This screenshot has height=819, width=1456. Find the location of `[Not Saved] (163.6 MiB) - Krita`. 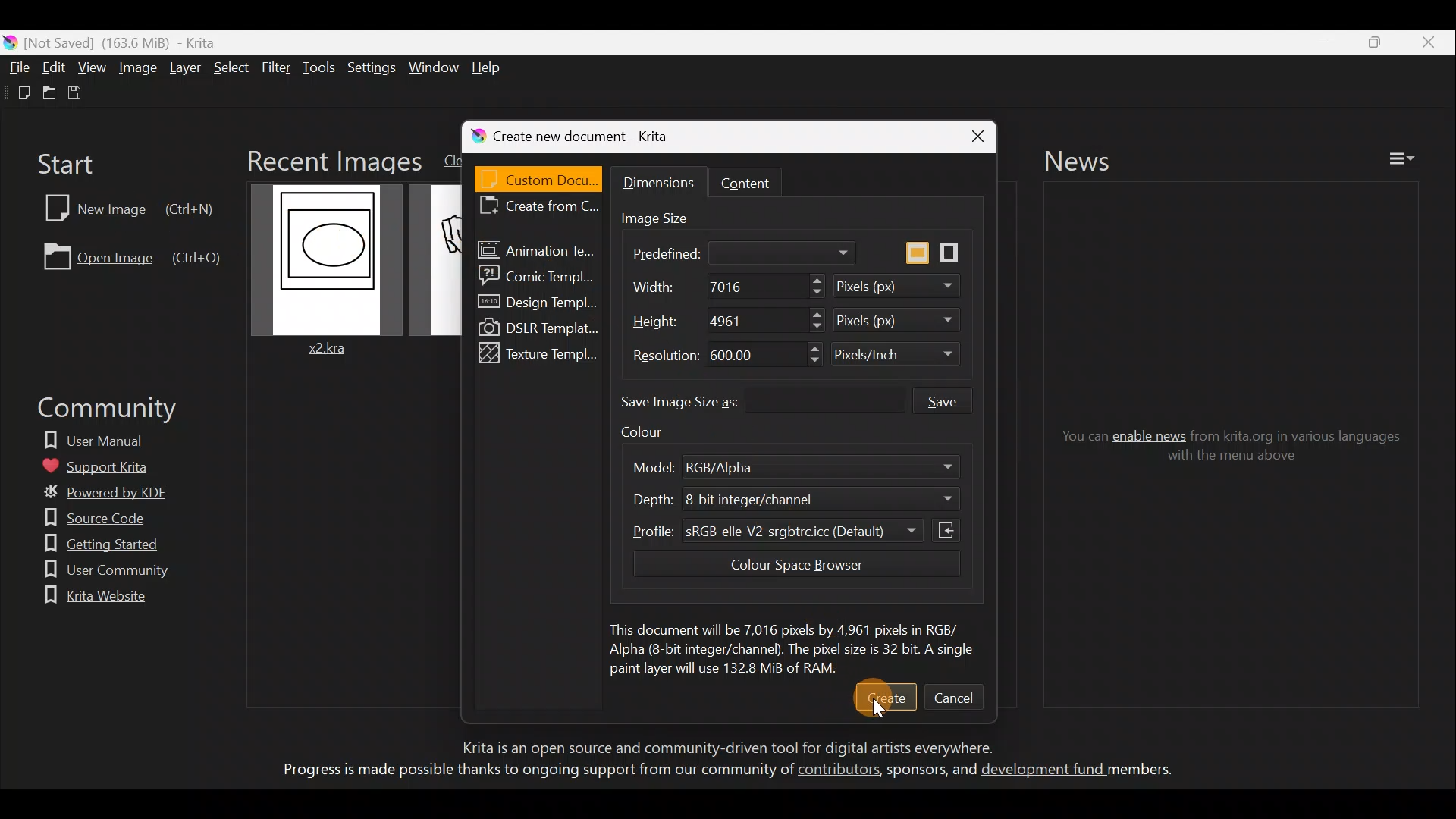

[Not Saved] (163.6 MiB) - Krita is located at coordinates (129, 42).